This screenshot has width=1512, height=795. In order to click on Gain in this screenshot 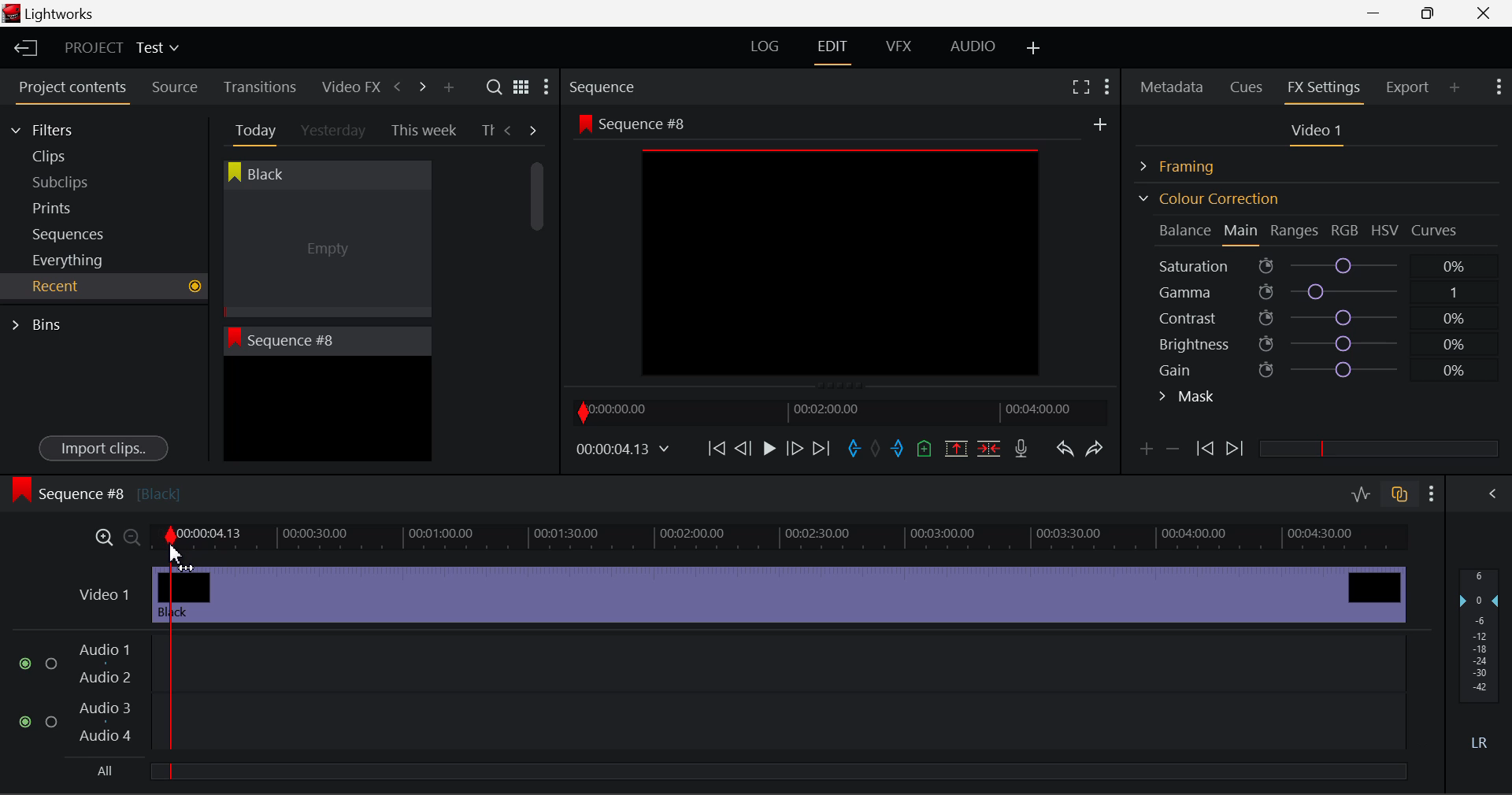, I will do `click(1332, 367)`.